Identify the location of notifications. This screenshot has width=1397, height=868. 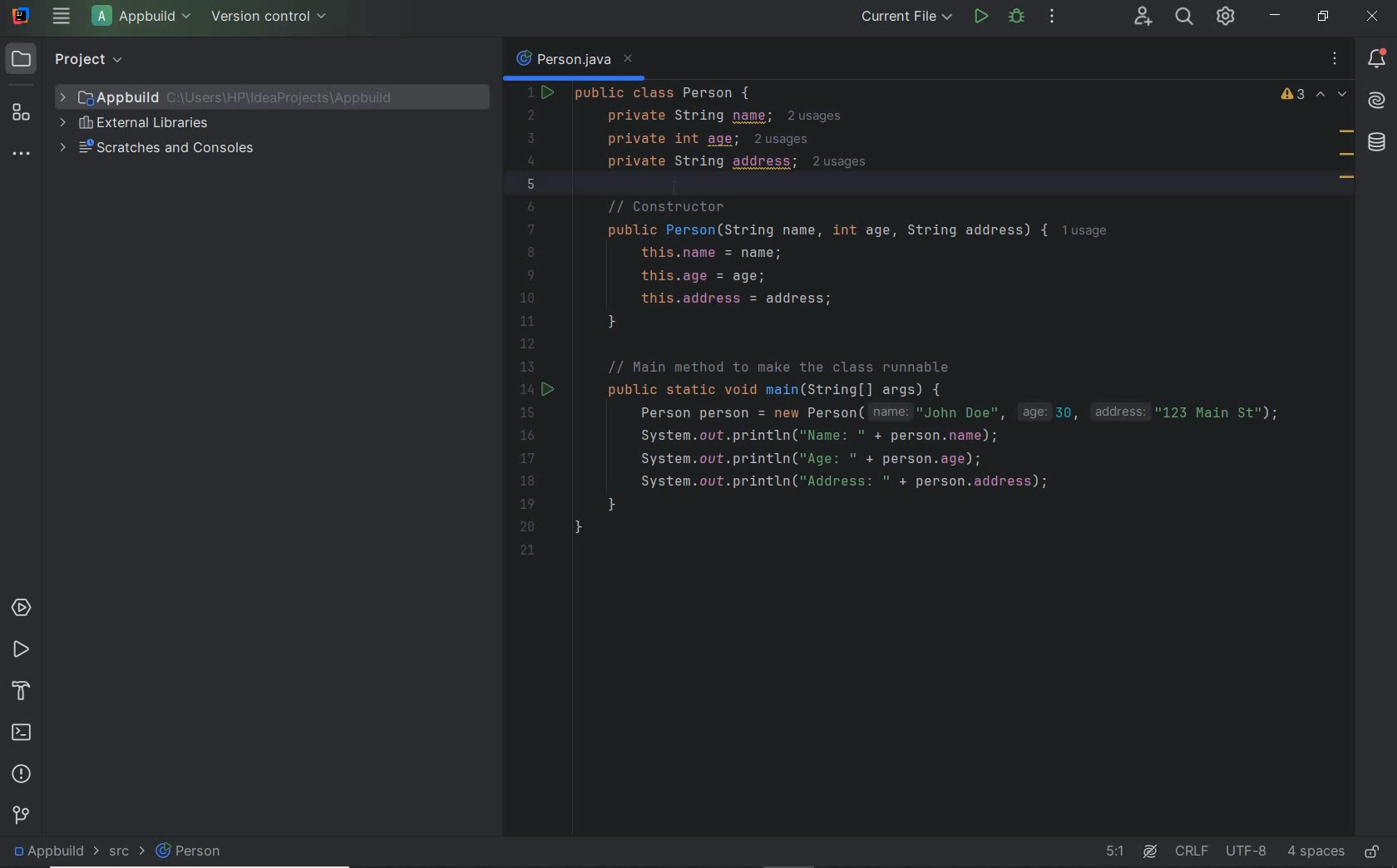
(1380, 59).